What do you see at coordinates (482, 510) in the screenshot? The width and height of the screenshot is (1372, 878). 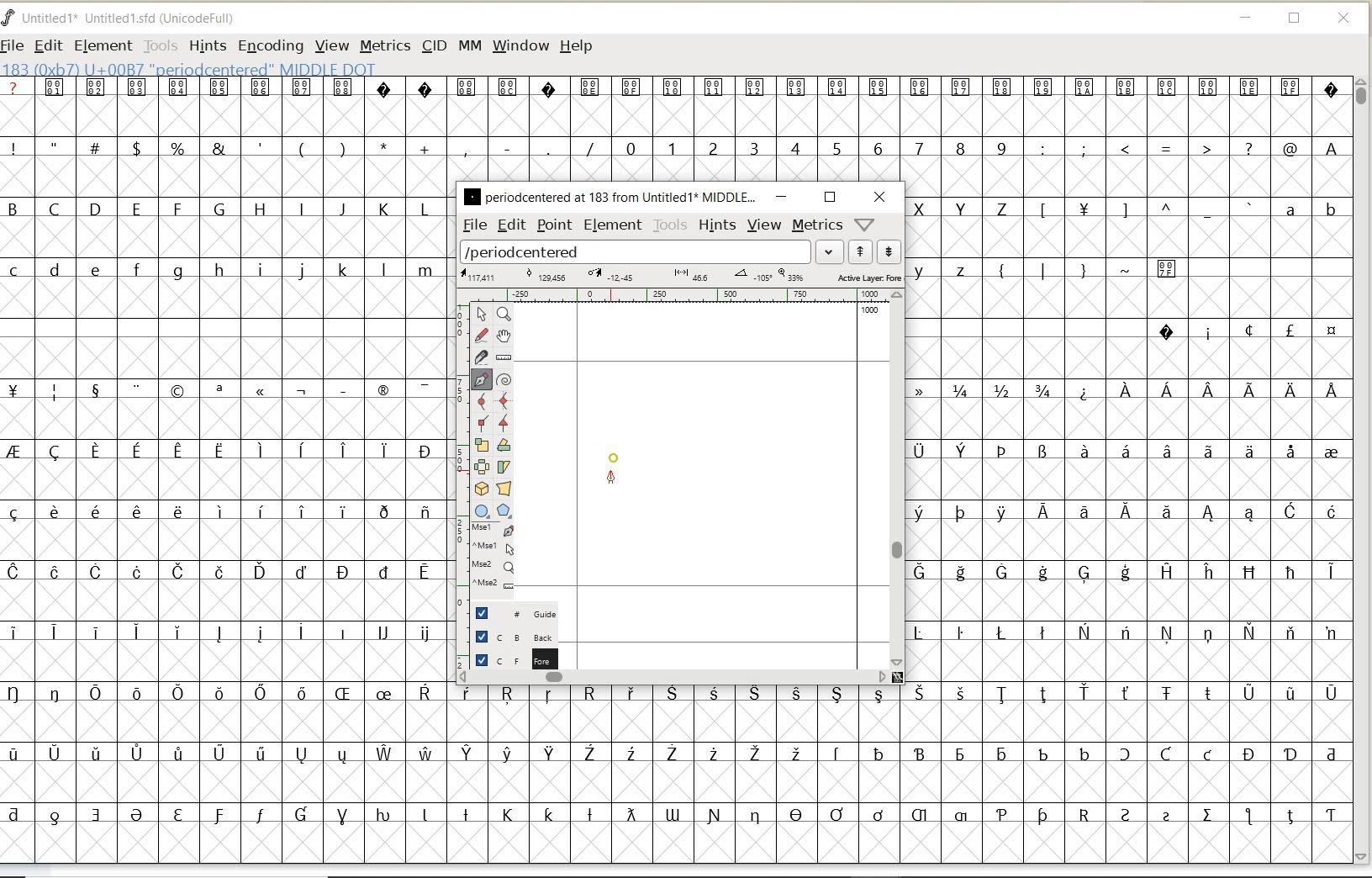 I see `rectangle or ellipse` at bounding box center [482, 510].